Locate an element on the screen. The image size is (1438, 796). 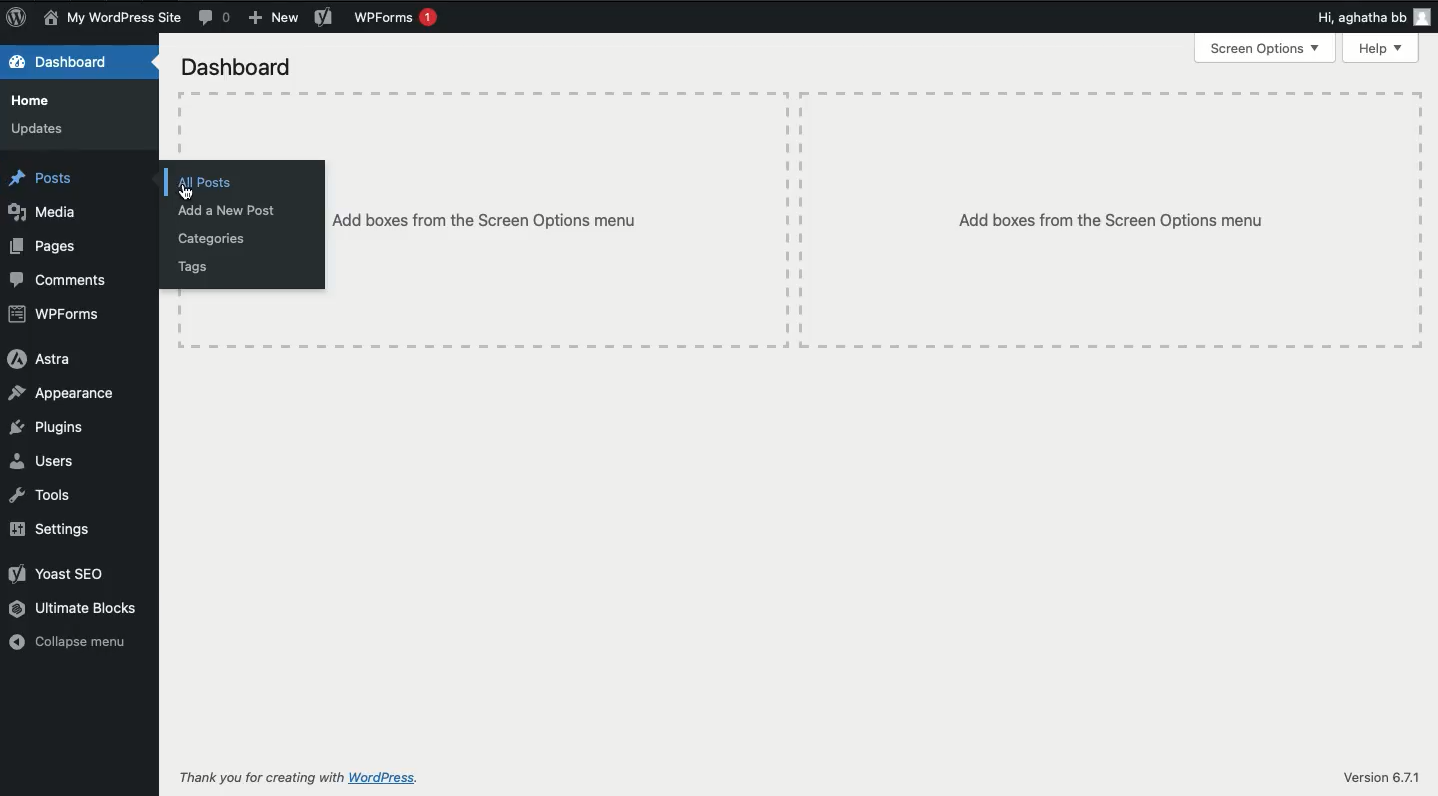
Tools  is located at coordinates (42, 497).